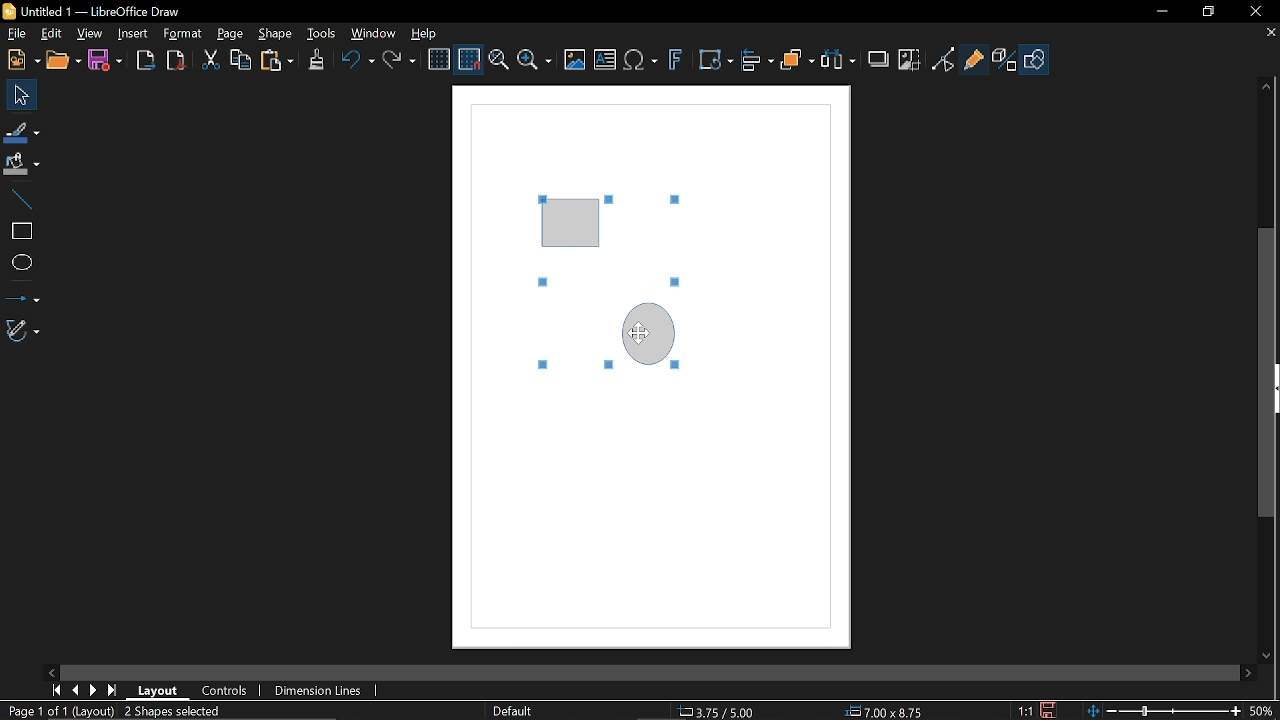 This screenshot has width=1280, height=720. I want to click on Open, so click(63, 61).